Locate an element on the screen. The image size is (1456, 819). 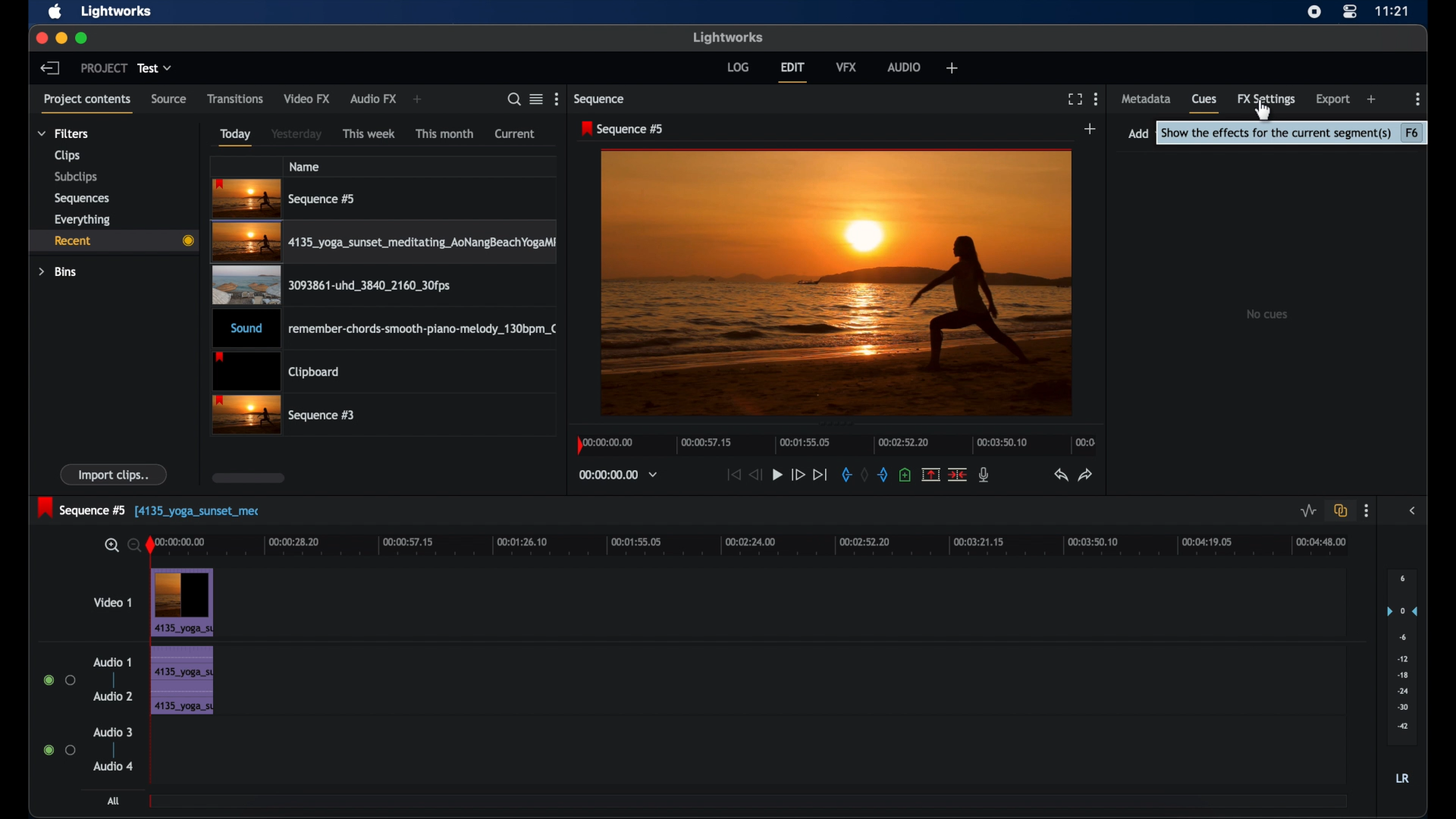
edit is located at coordinates (792, 72).